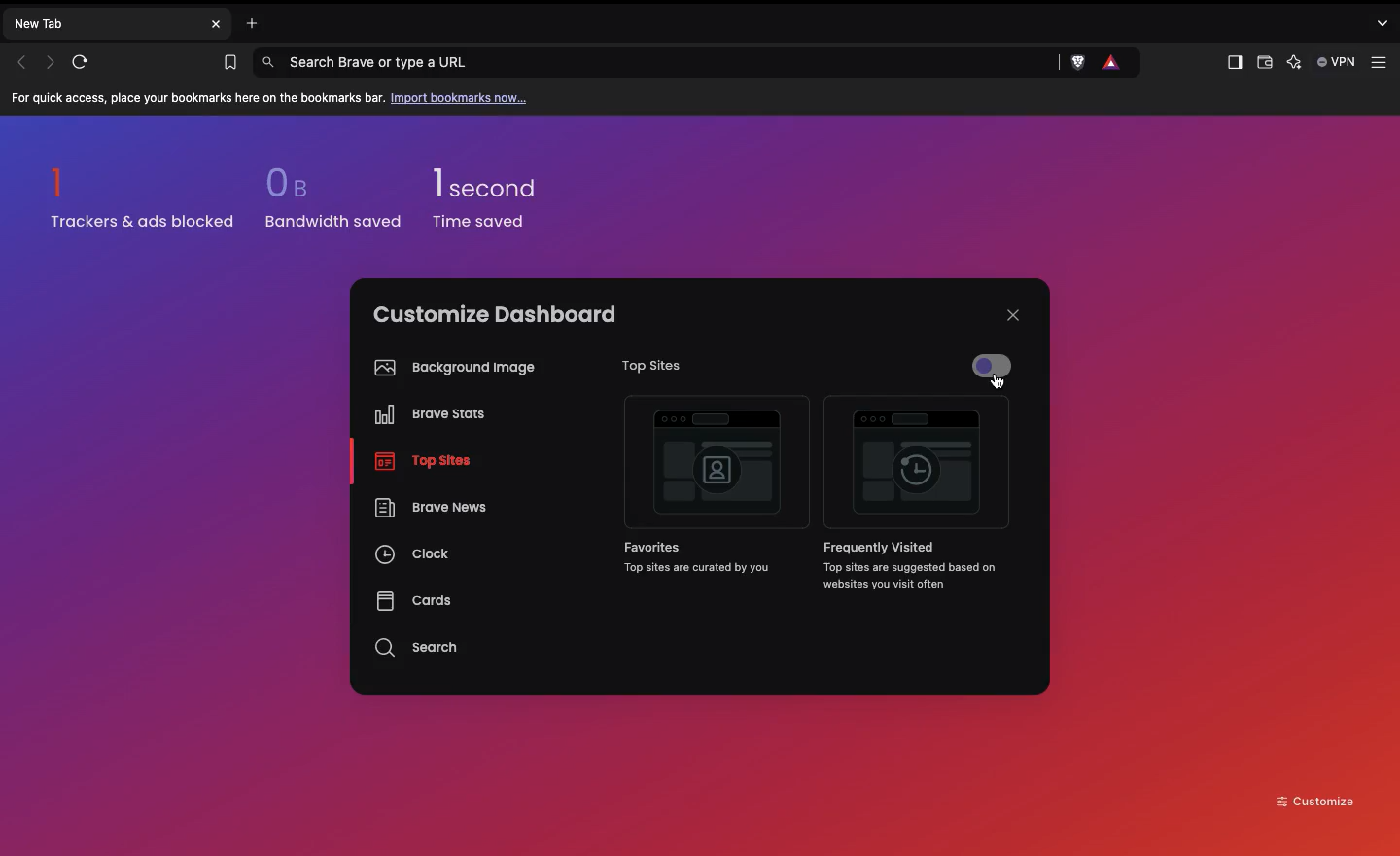 This screenshot has width=1400, height=856. I want to click on top sites, so click(424, 463).